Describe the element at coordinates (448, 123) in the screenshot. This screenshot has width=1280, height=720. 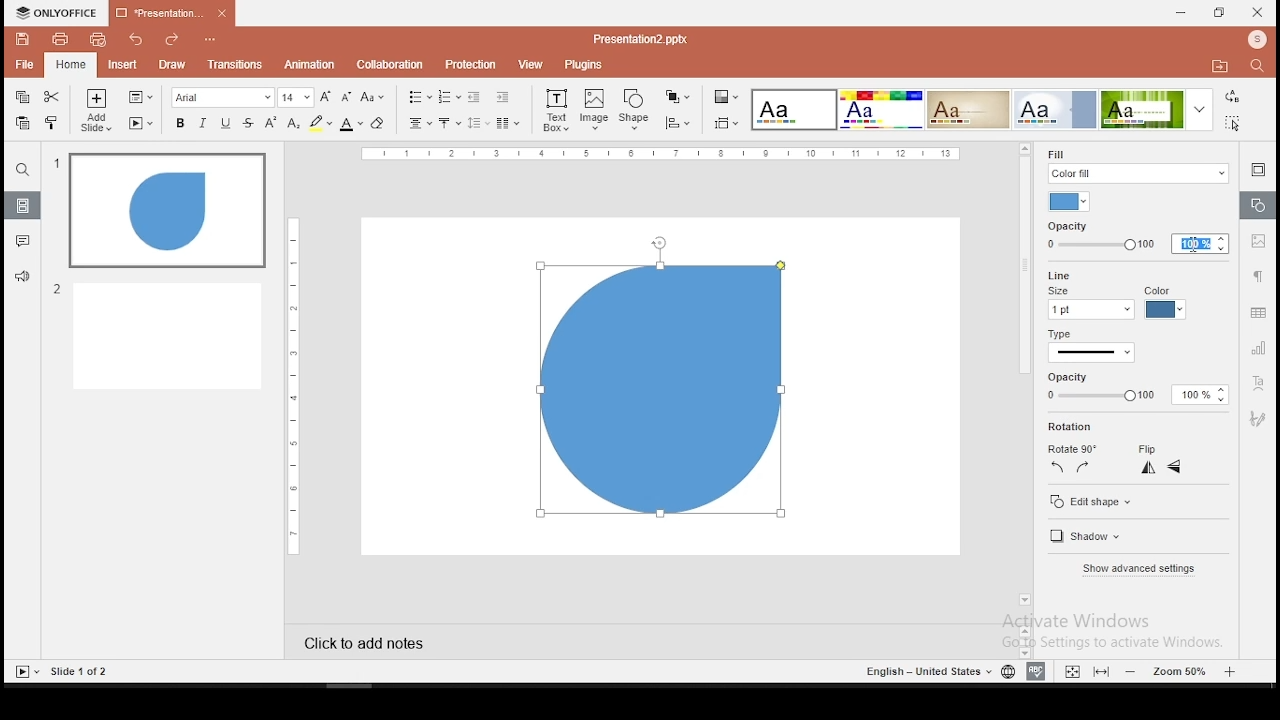
I see `vertical alignment` at that location.